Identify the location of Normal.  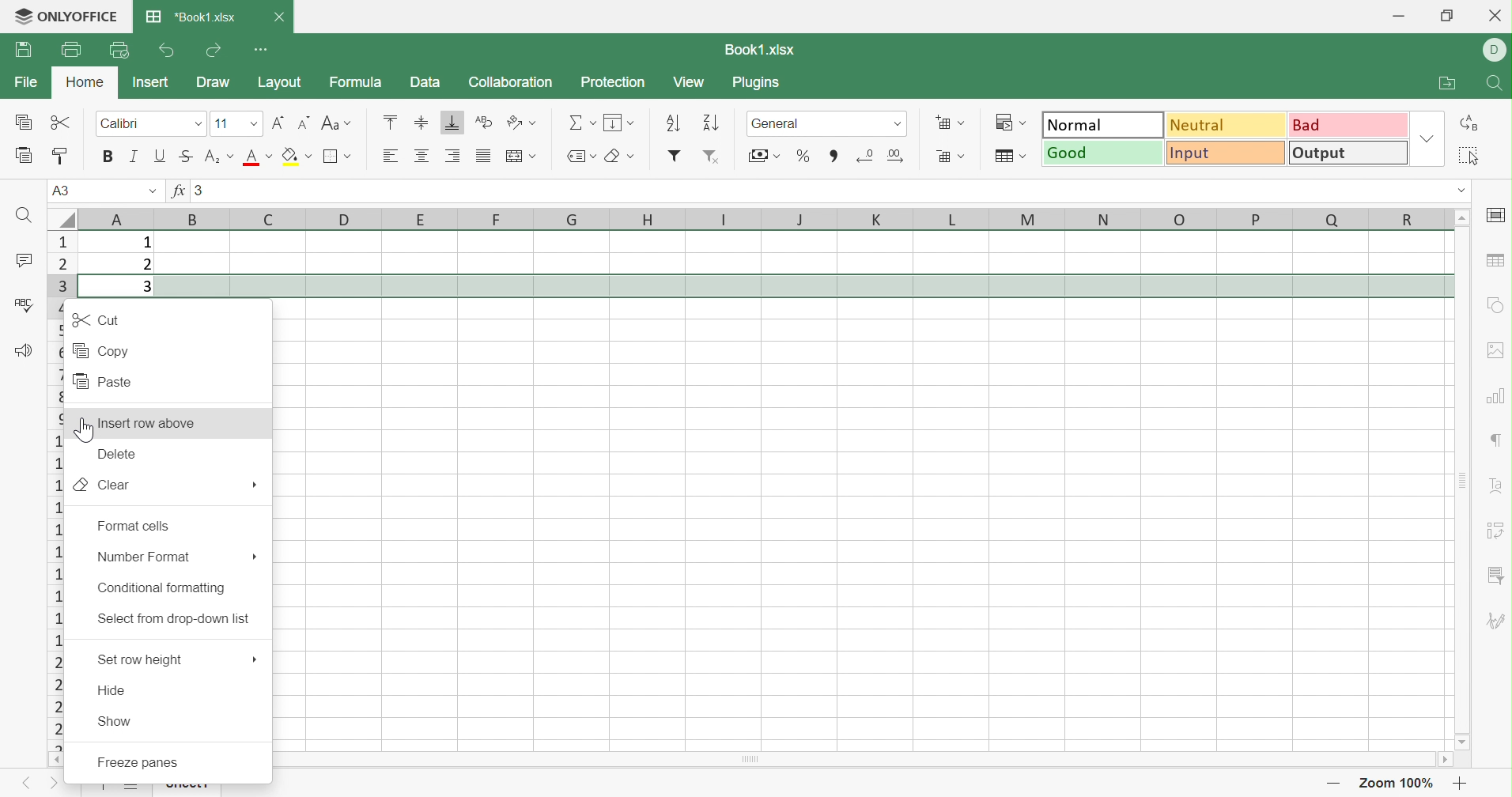
(1101, 124).